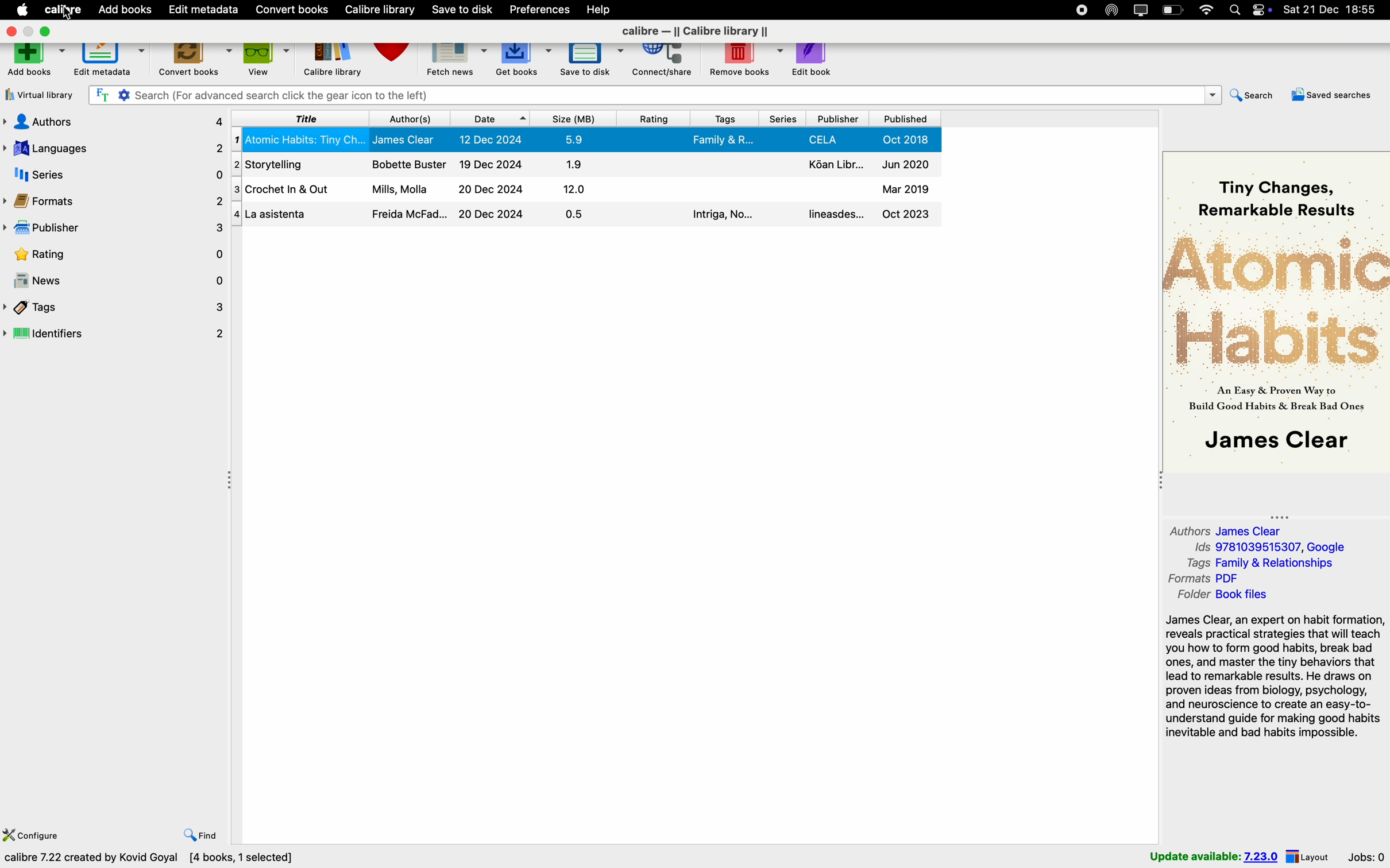  Describe the element at coordinates (575, 119) in the screenshot. I see `size` at that location.